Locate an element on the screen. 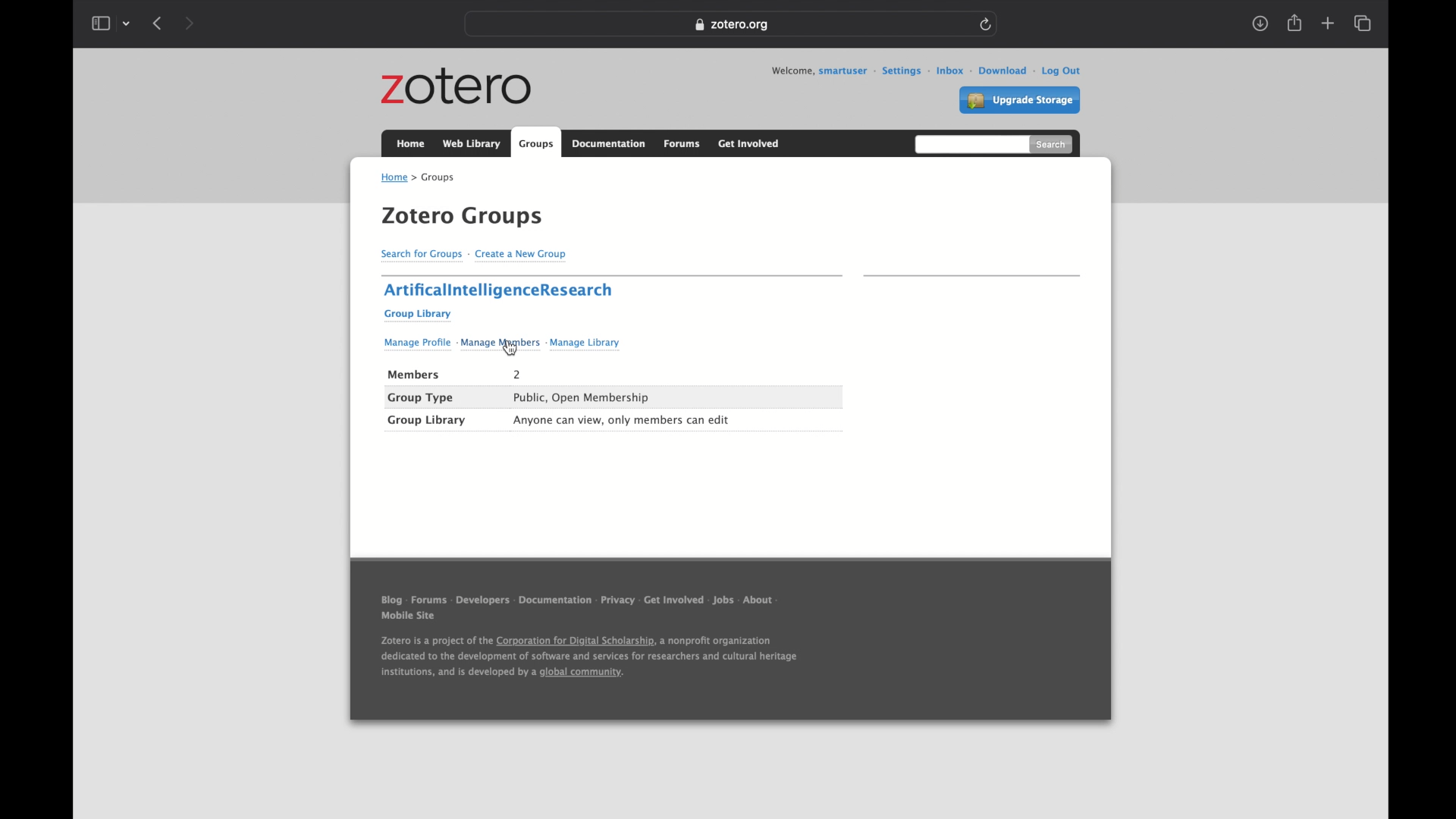 The height and width of the screenshot is (819, 1456). inbox is located at coordinates (944, 70).